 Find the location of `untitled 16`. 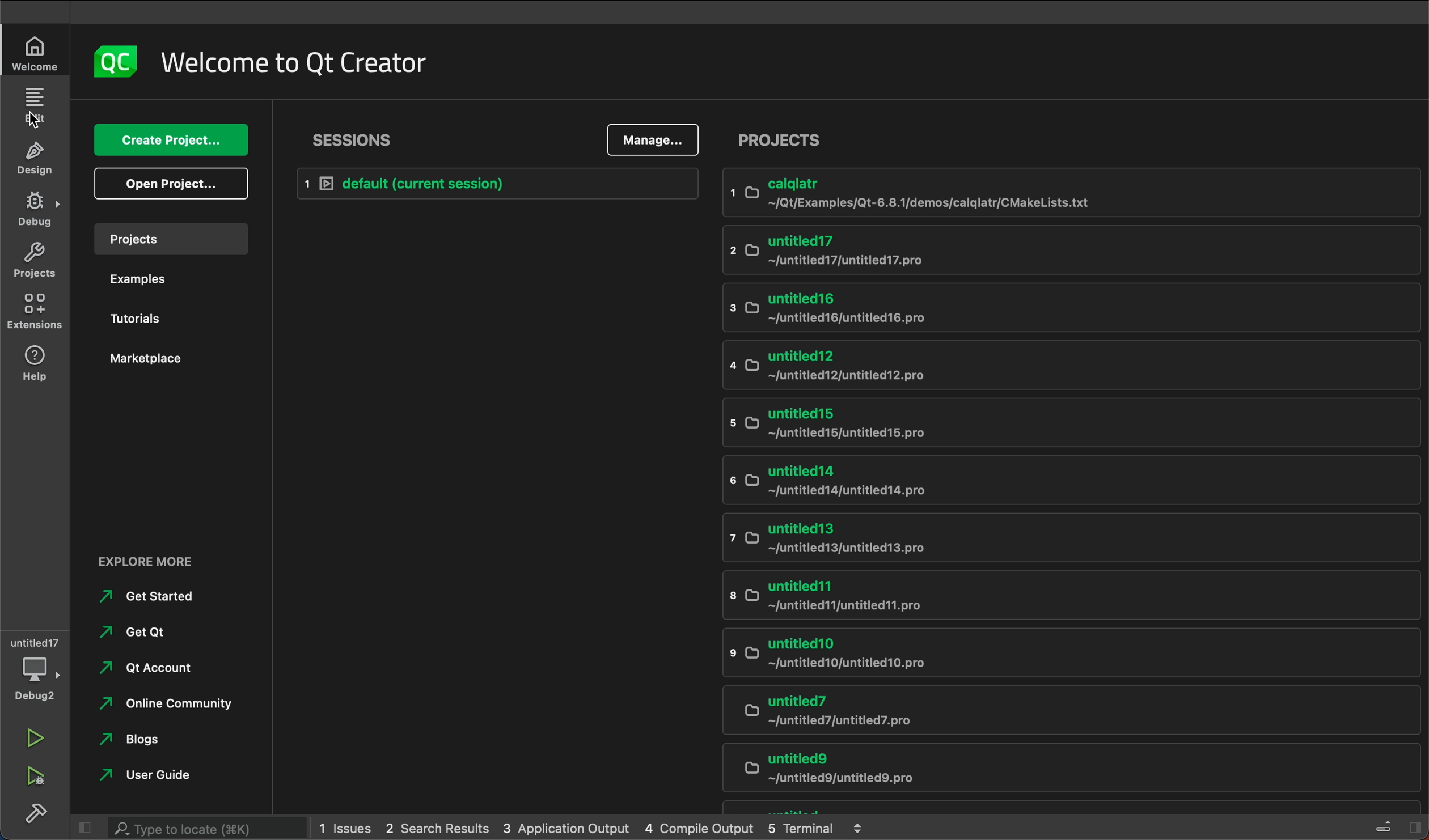

untitled 16 is located at coordinates (1039, 309).